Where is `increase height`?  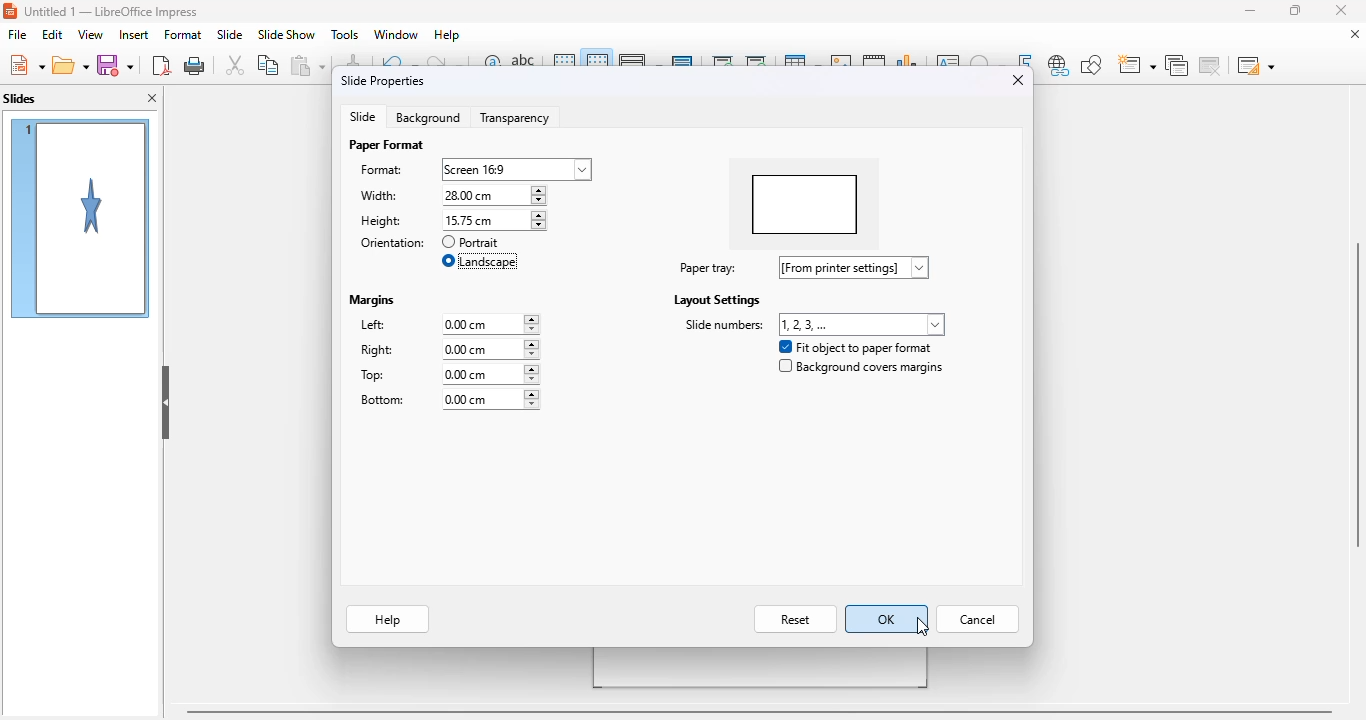 increase height is located at coordinates (540, 216).